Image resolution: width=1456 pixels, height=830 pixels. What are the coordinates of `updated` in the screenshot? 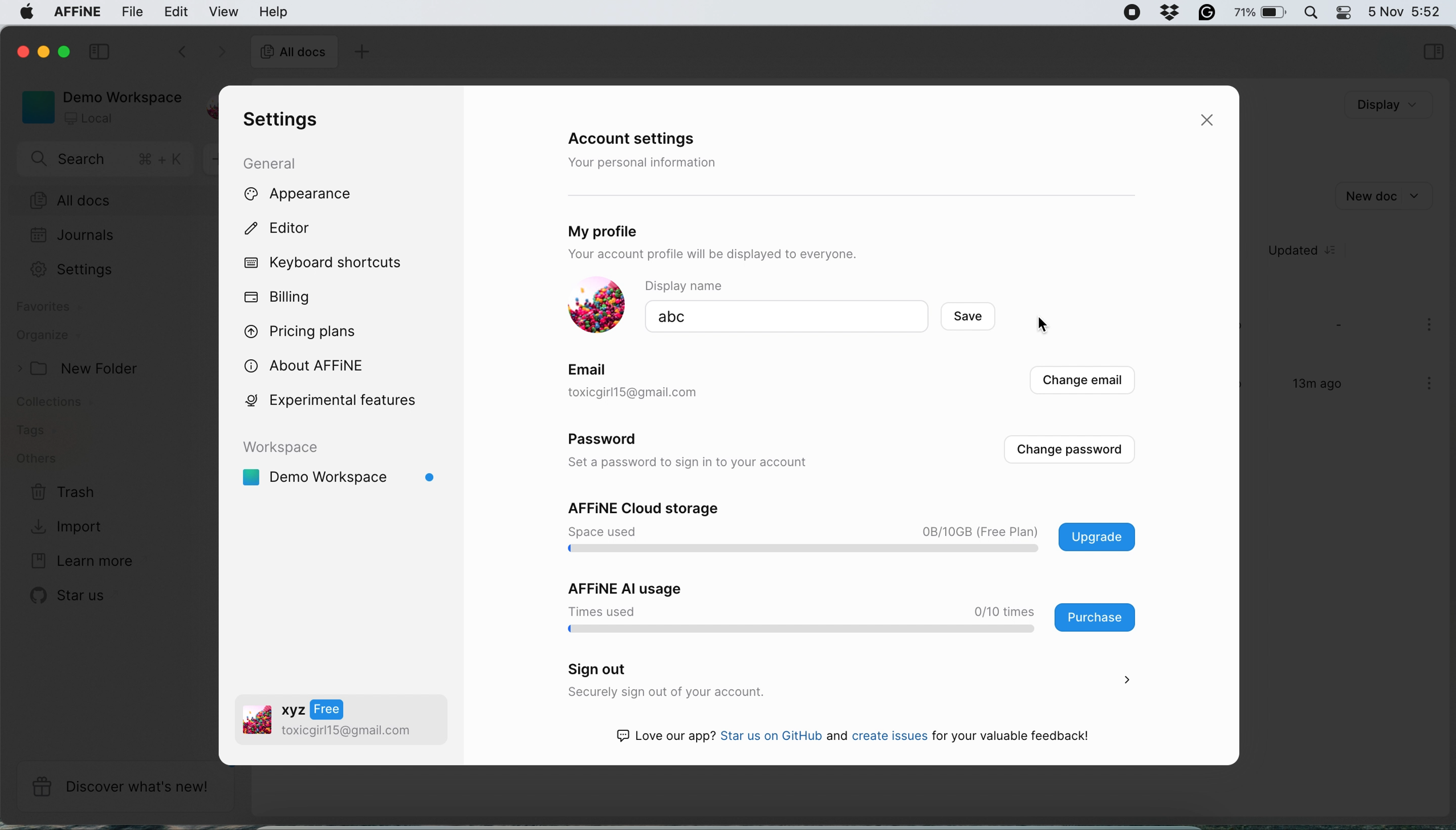 It's located at (1310, 251).